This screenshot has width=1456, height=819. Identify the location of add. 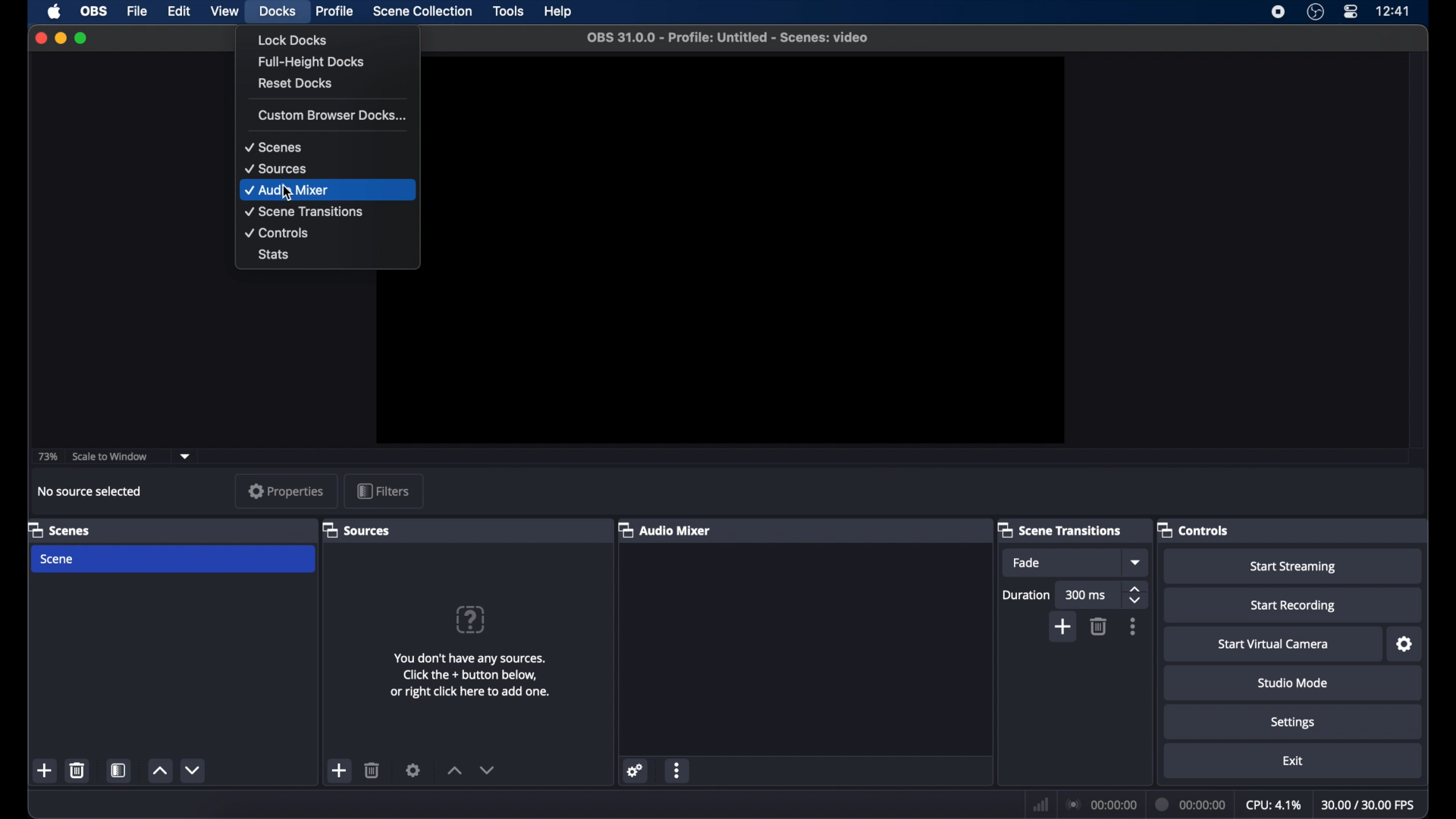
(1064, 626).